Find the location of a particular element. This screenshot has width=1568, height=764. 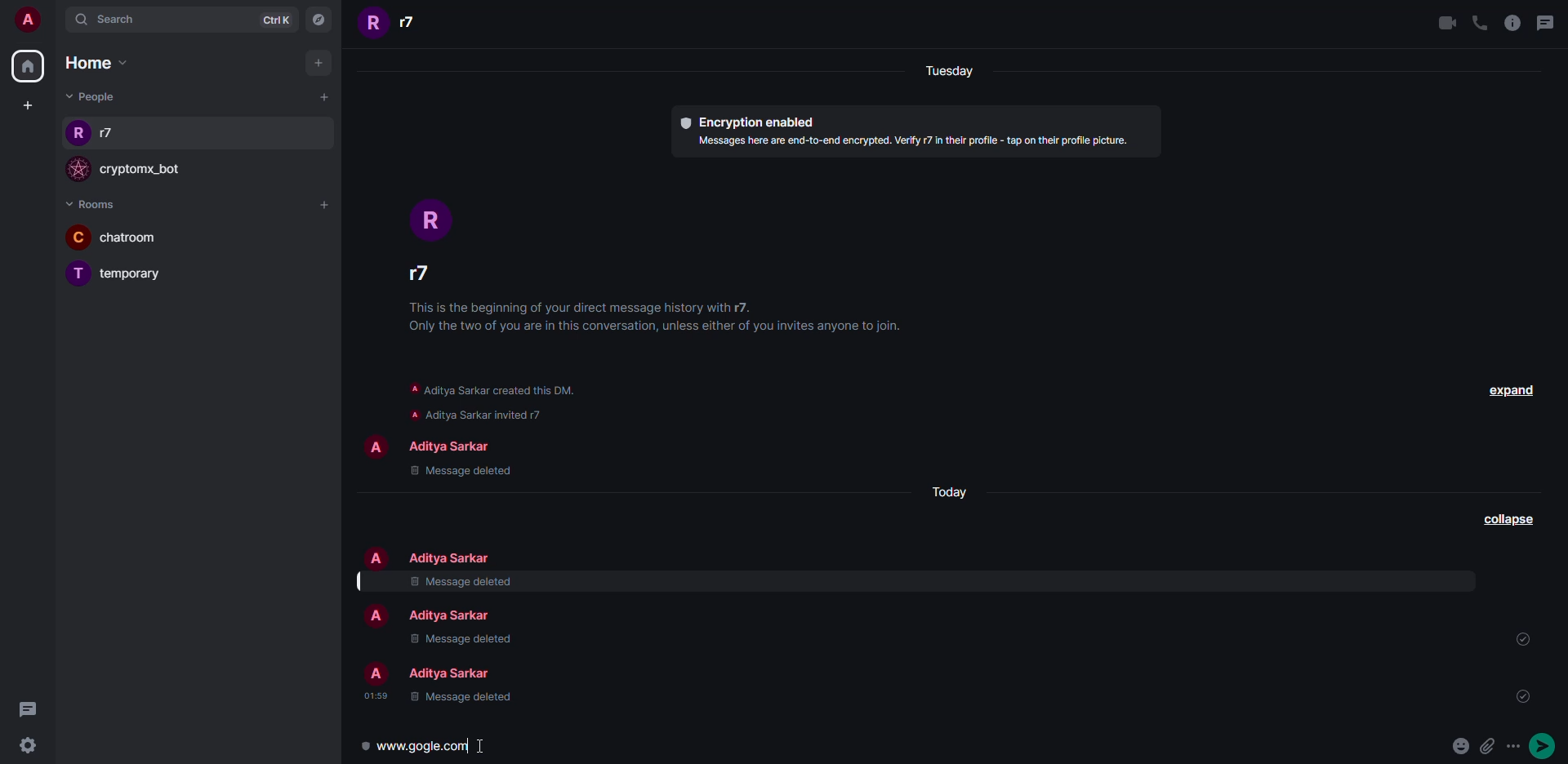

profile is located at coordinates (377, 617).